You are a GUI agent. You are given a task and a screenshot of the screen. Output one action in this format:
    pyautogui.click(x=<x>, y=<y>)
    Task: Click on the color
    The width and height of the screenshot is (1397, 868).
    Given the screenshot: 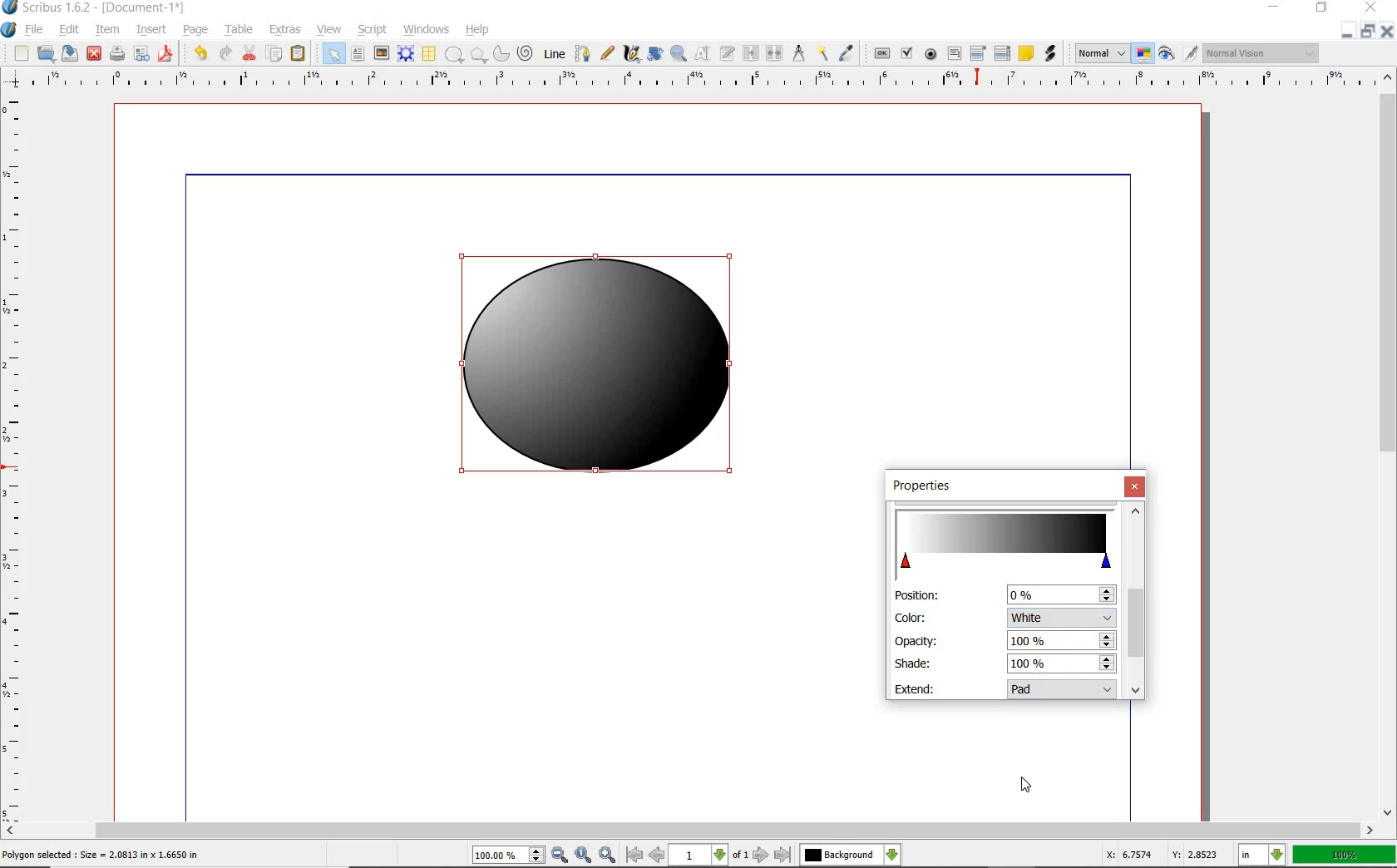 What is the action you would take?
    pyautogui.click(x=911, y=617)
    